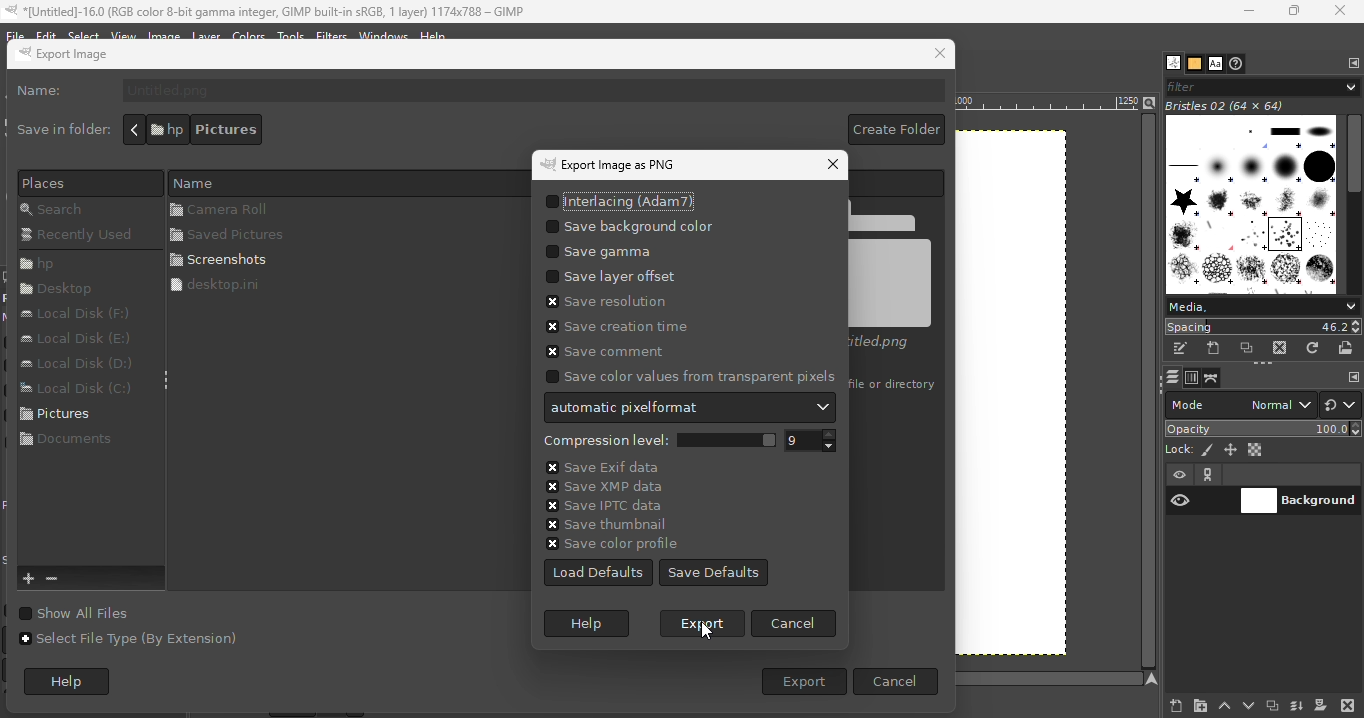  Describe the element at coordinates (607, 303) in the screenshot. I see `Save resolution` at that location.